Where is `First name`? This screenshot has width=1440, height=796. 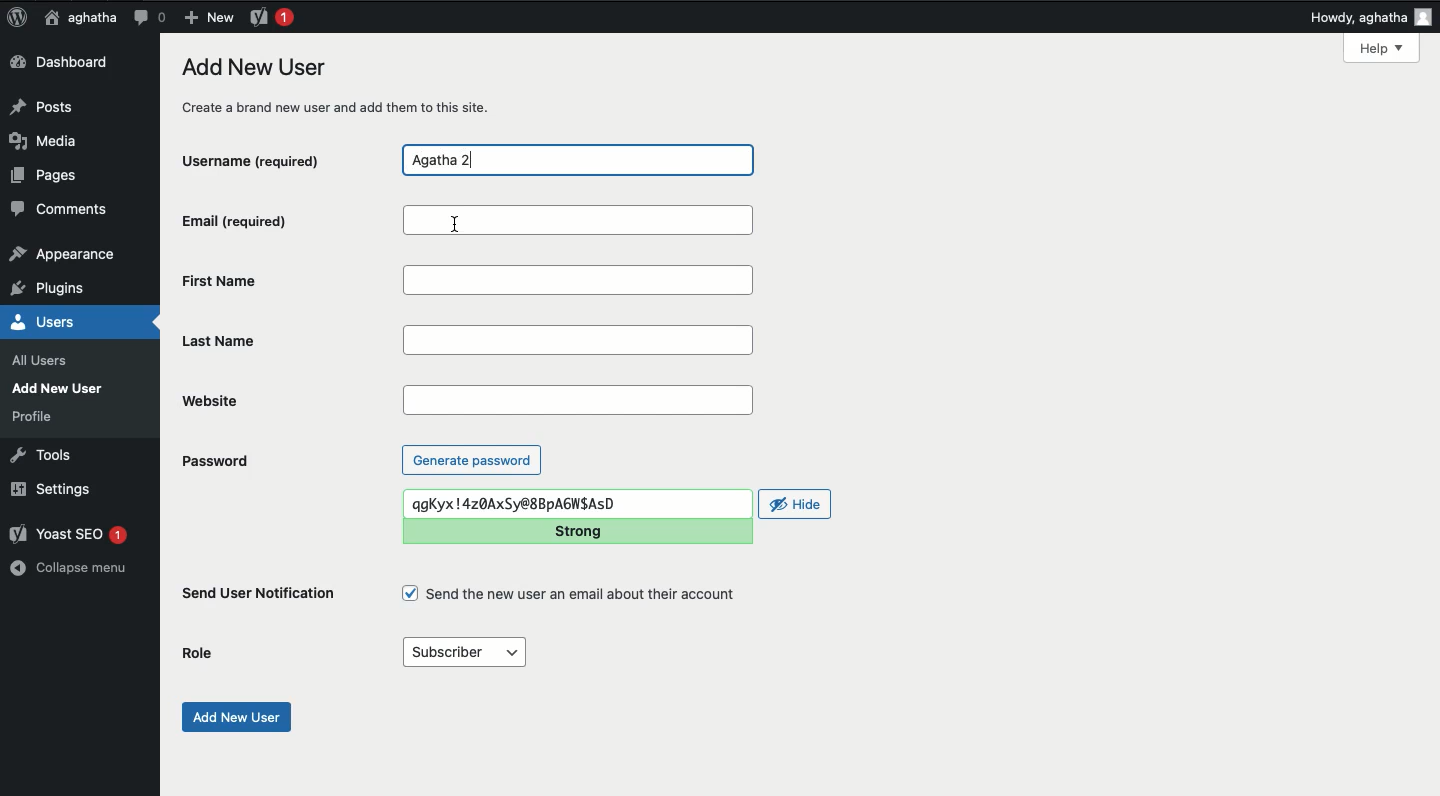 First name is located at coordinates (583, 281).